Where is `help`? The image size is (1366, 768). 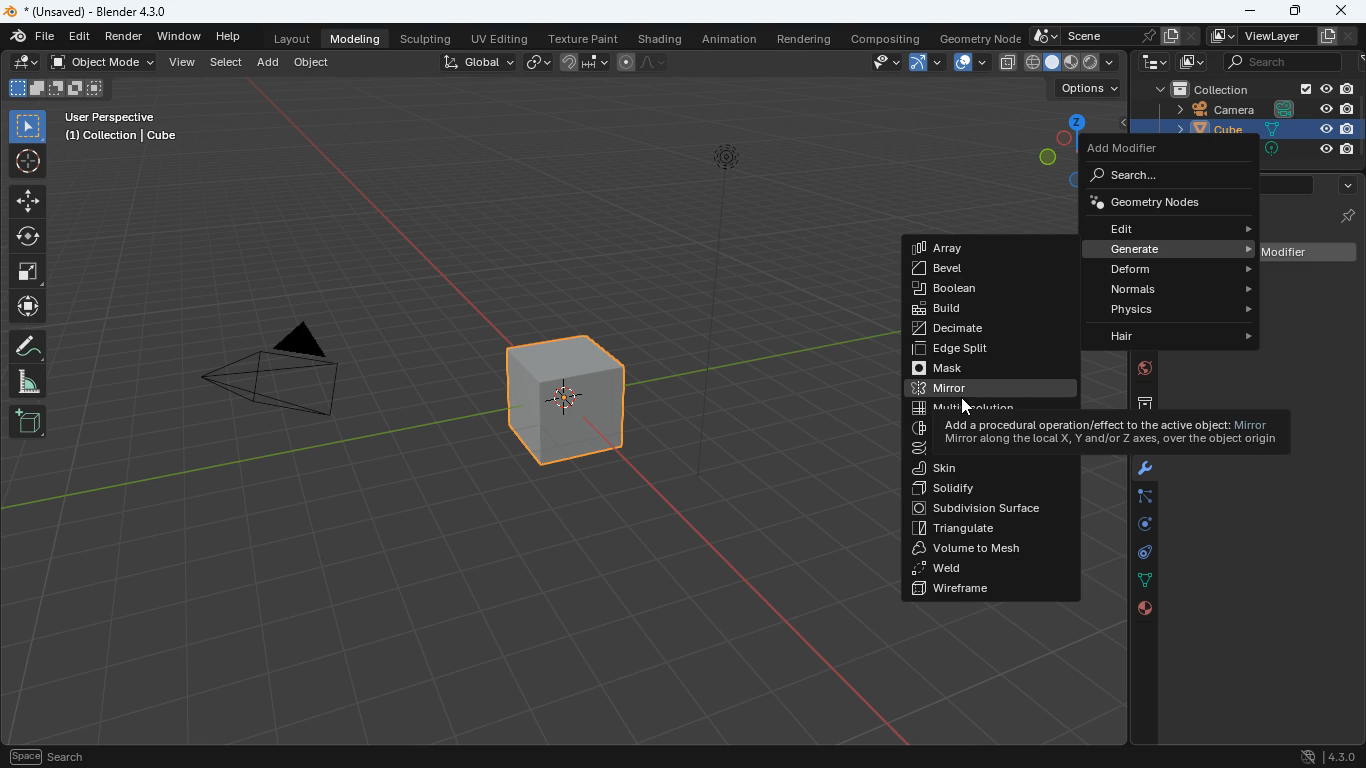
help is located at coordinates (227, 35).